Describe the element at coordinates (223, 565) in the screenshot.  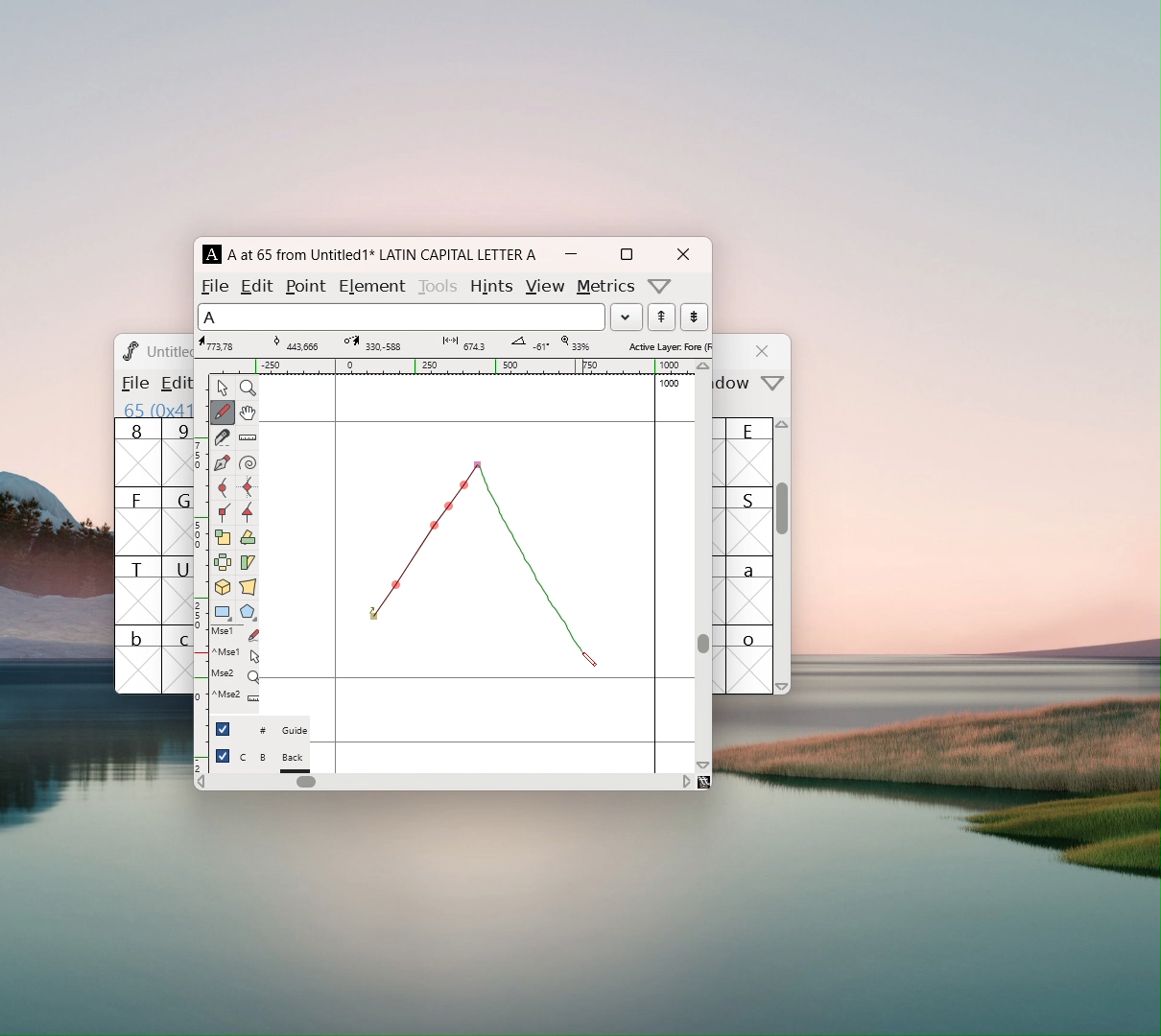
I see `flip selection` at that location.